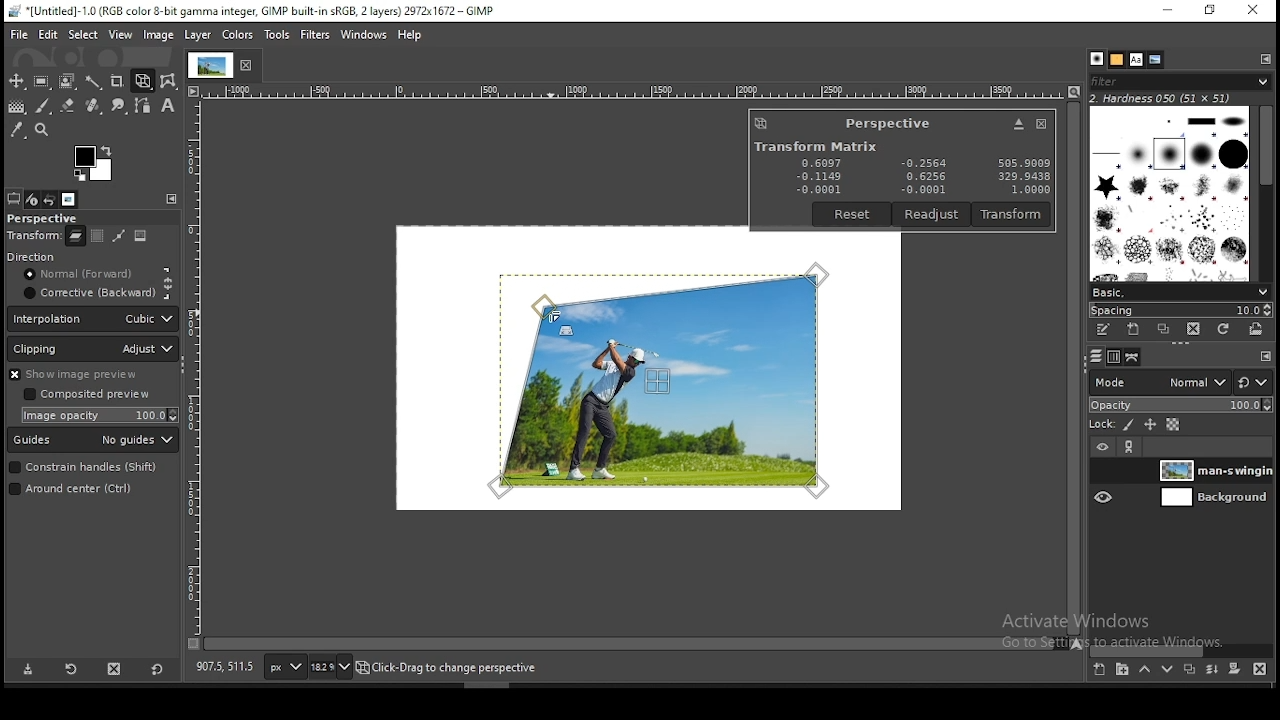 Image resolution: width=1280 pixels, height=720 pixels. I want to click on direction, so click(57, 258).